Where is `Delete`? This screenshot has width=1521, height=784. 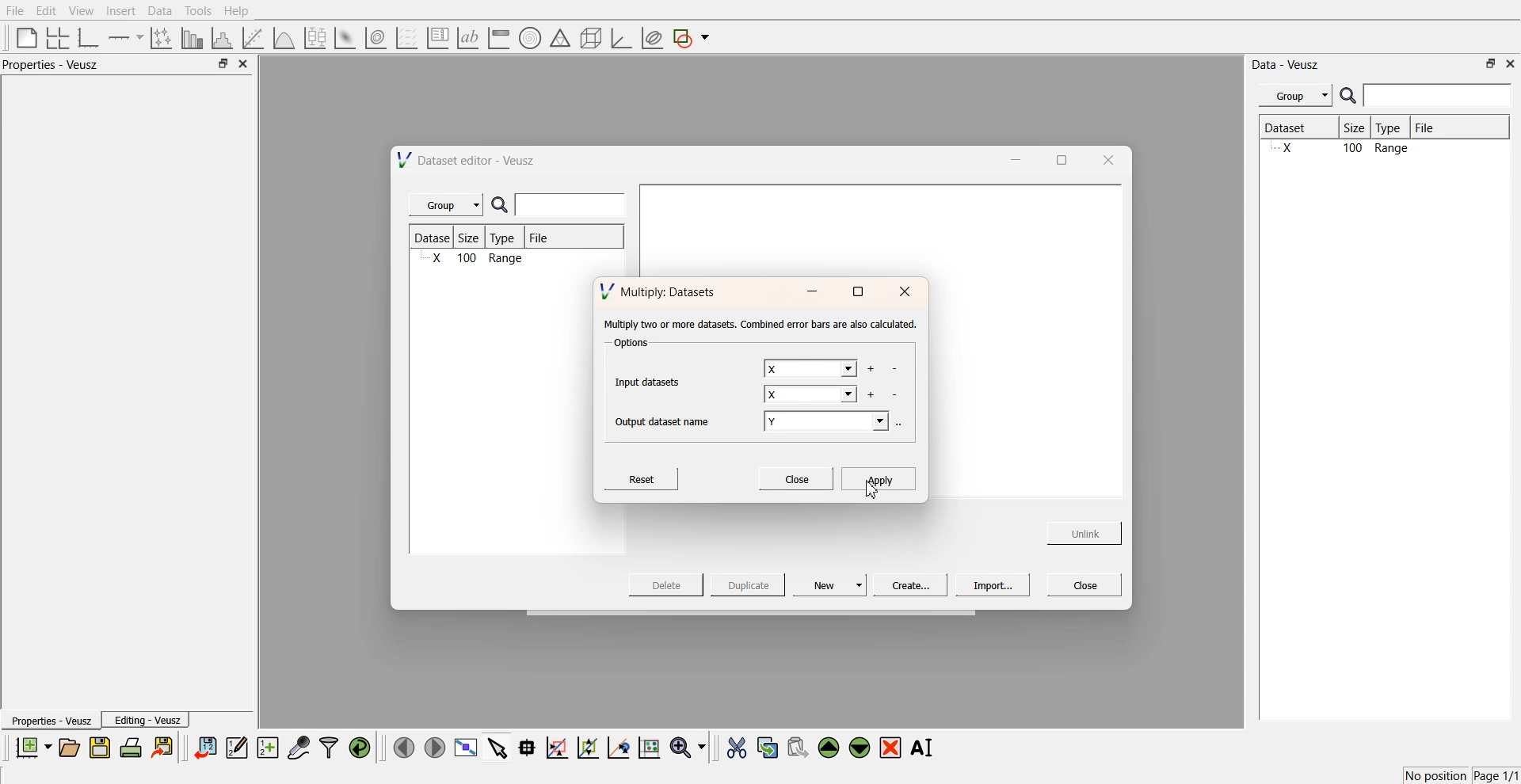
Delete is located at coordinates (668, 584).